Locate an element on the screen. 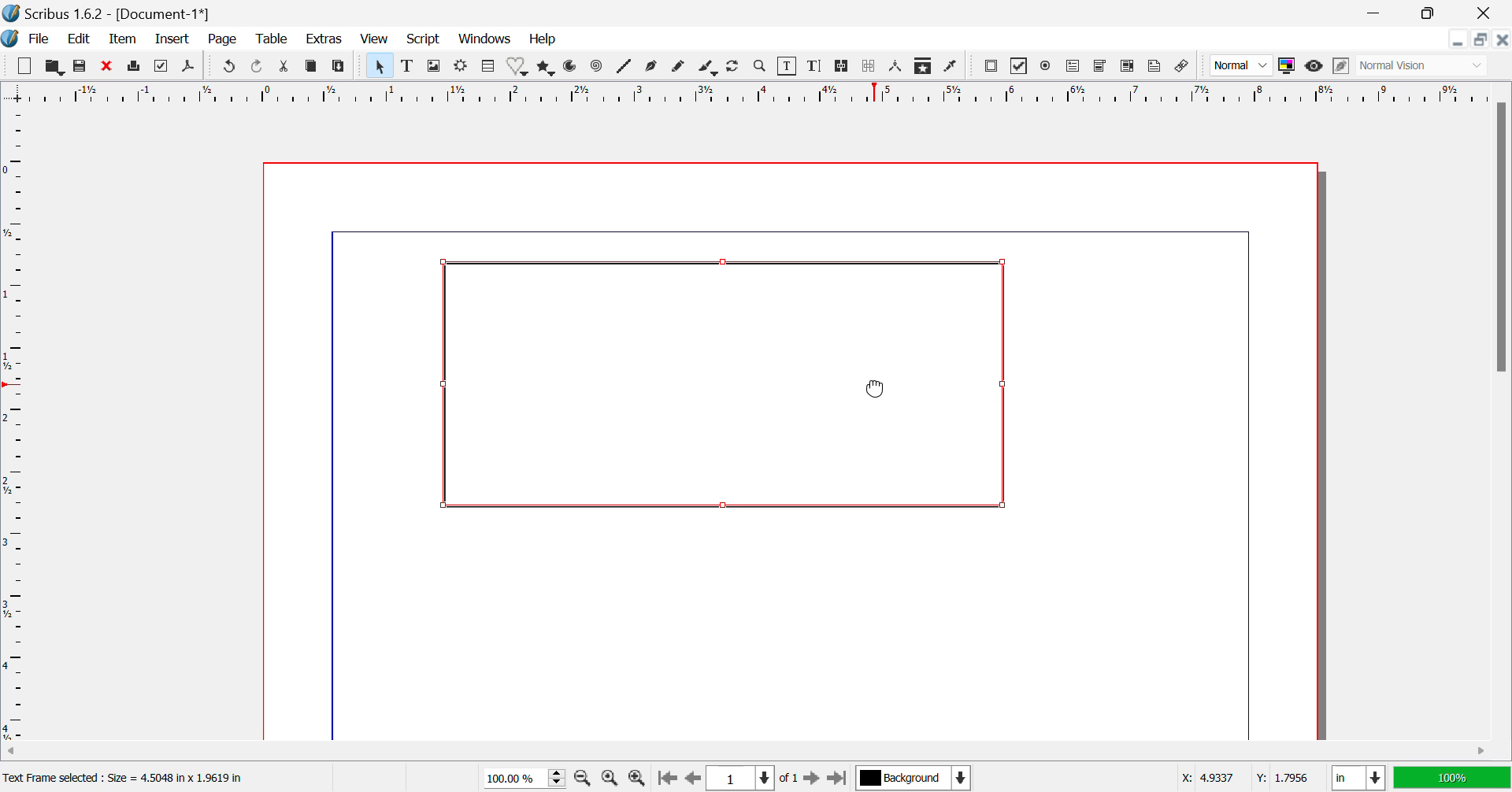 This screenshot has width=1512, height=792. Item is located at coordinates (123, 41).